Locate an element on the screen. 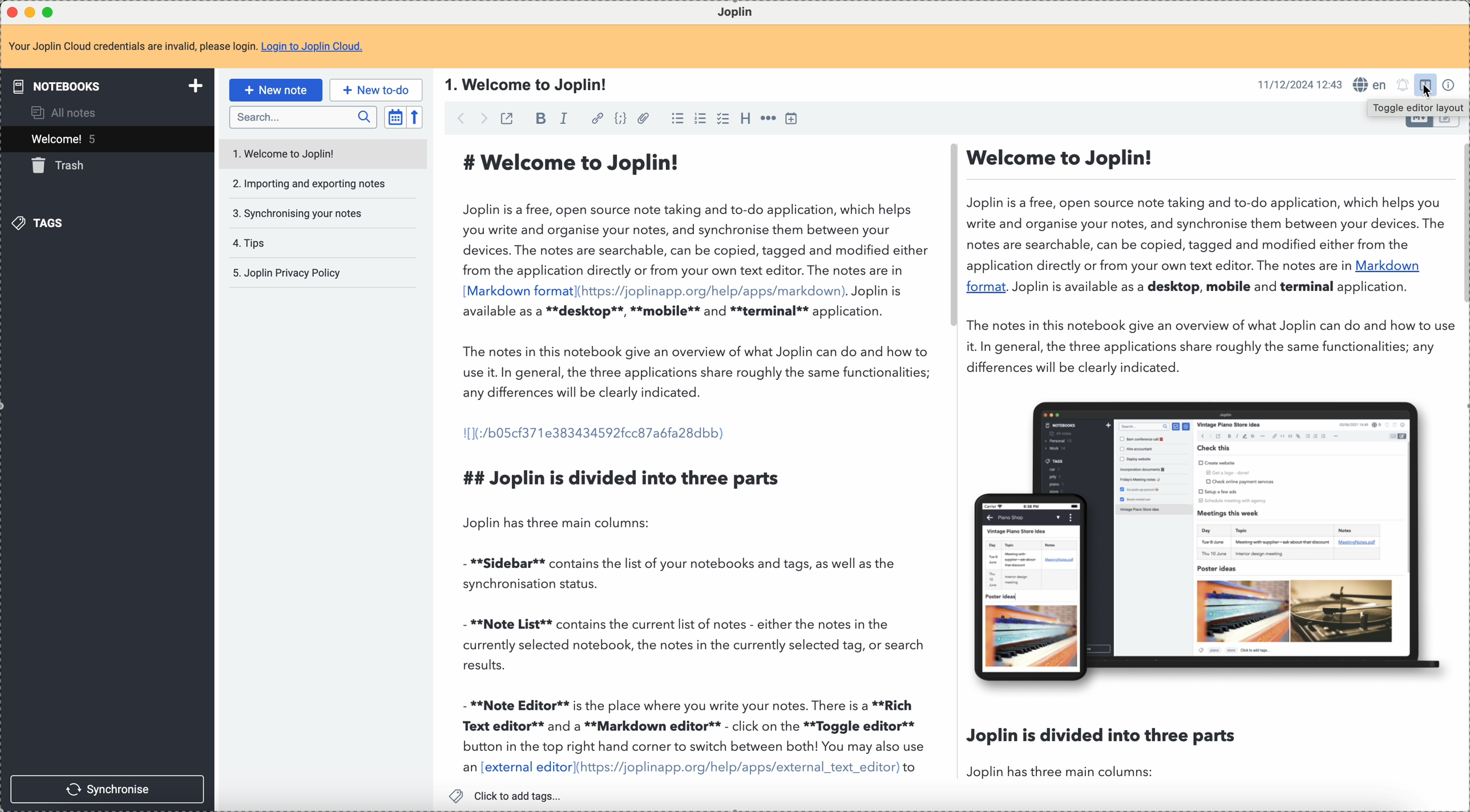 This screenshot has width=1470, height=812. Joplin has three main columns: is located at coordinates (1070, 773).